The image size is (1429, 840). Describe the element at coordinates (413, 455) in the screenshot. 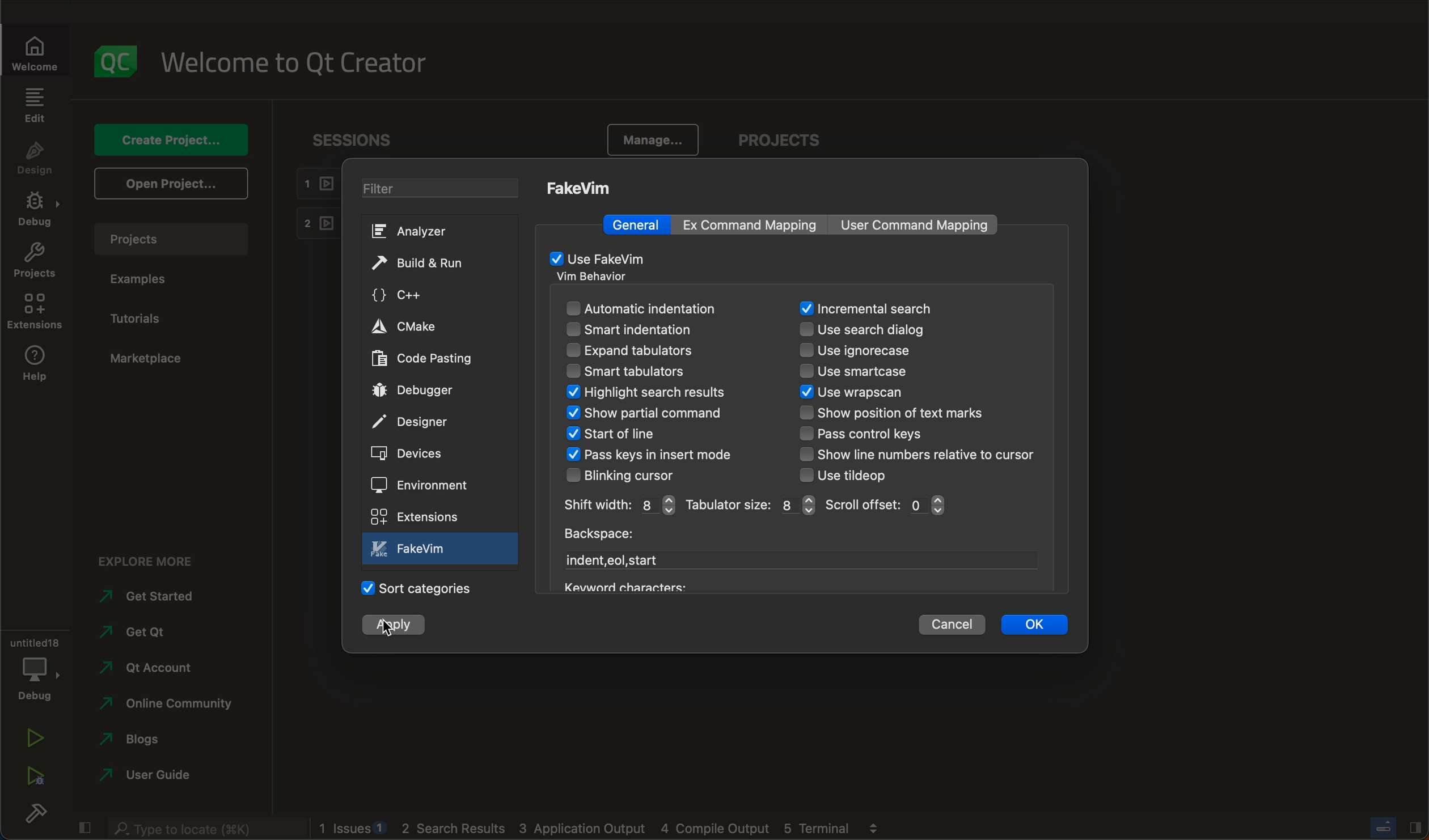

I see `devices` at that location.